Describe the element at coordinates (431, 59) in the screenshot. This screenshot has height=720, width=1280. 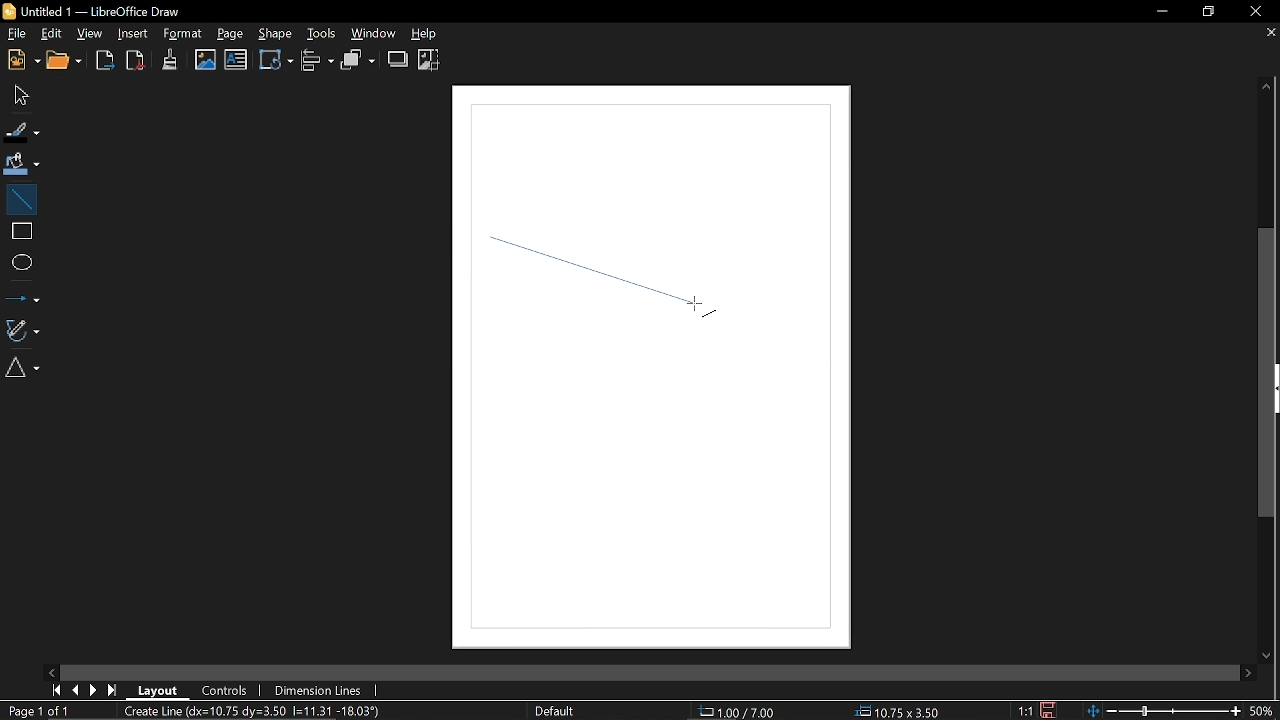
I see `Crop image` at that location.